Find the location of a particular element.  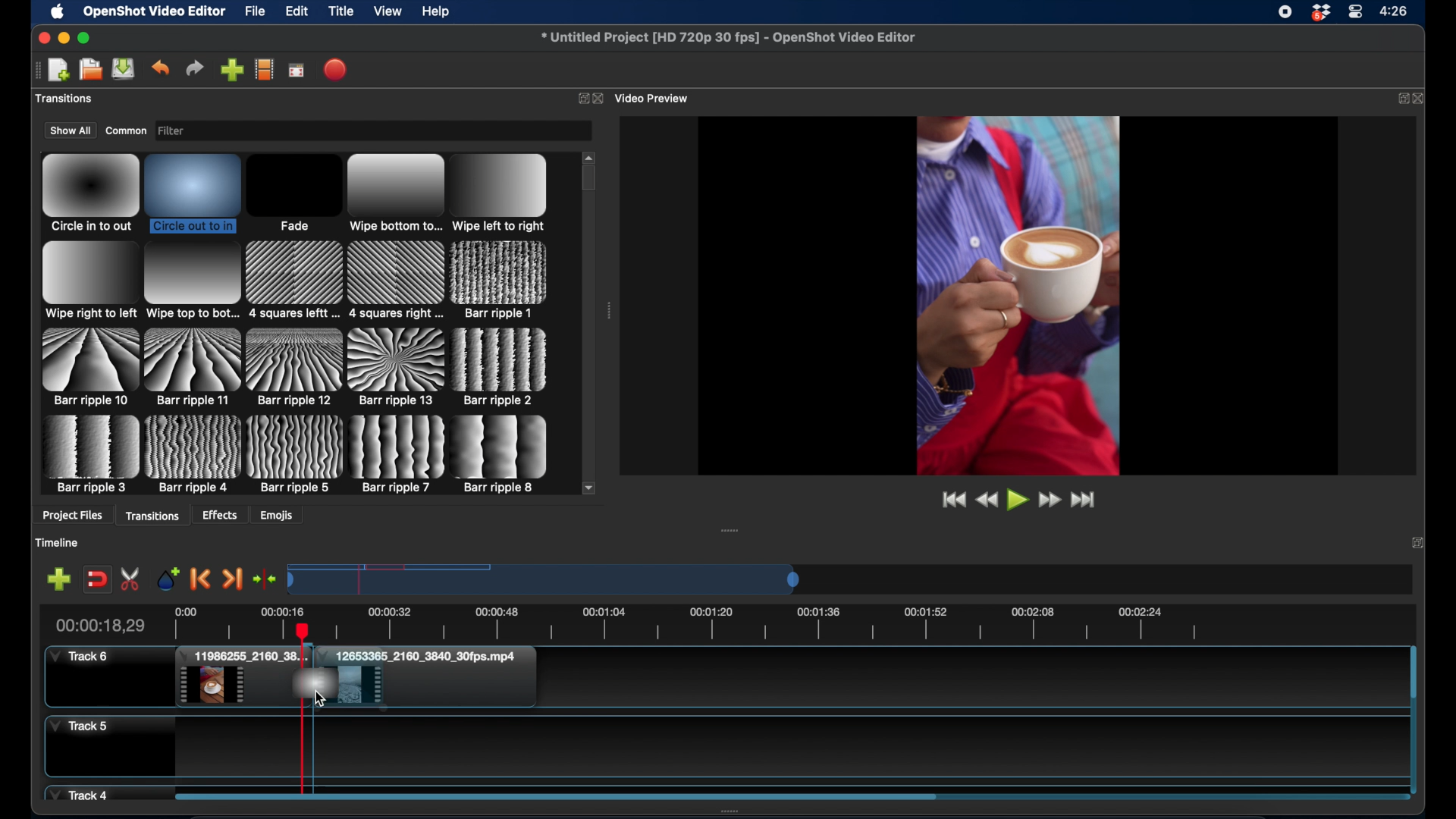

scroll bar is located at coordinates (555, 795).